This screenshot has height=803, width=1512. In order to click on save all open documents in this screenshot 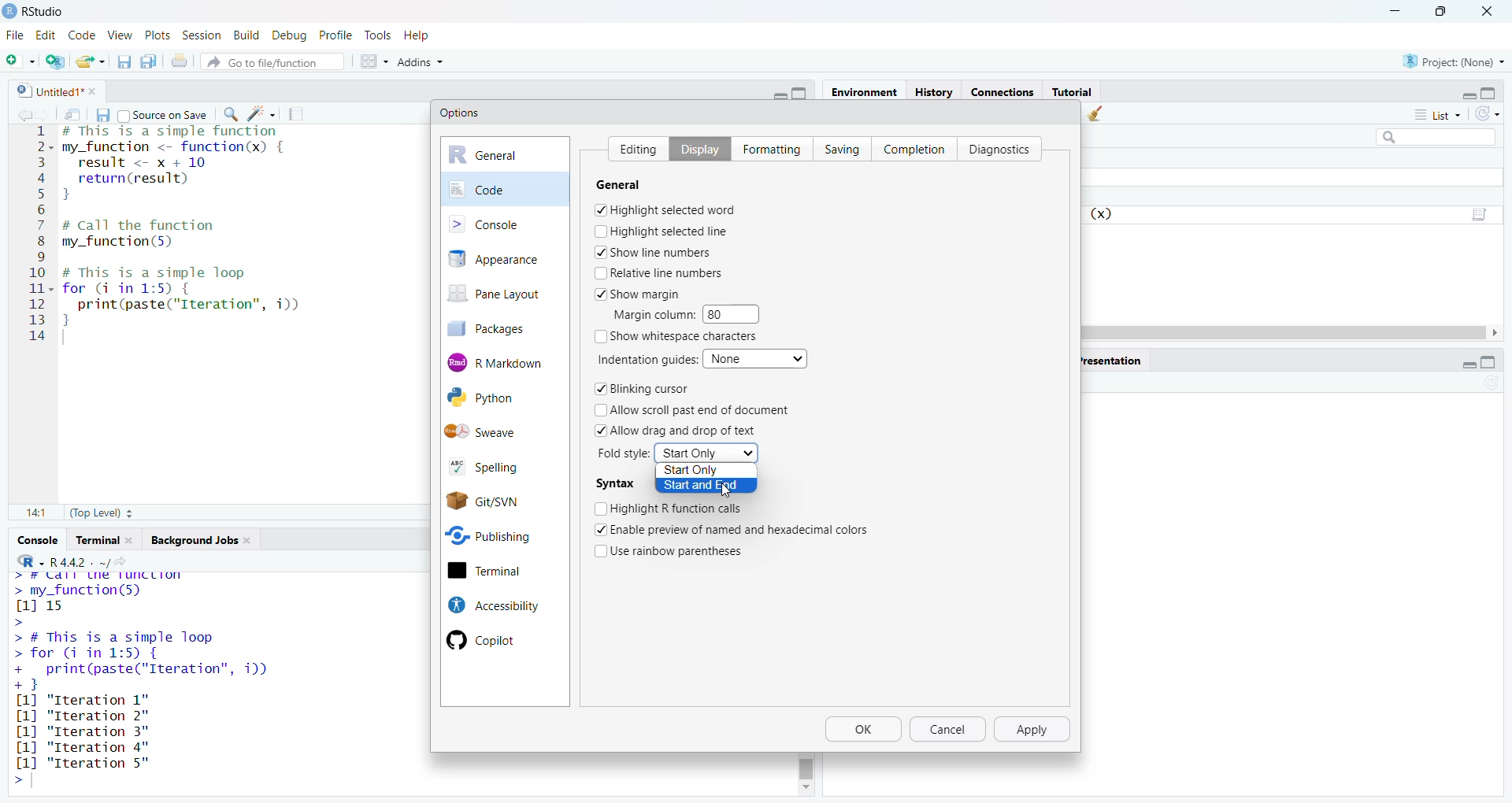, I will do `click(149, 61)`.